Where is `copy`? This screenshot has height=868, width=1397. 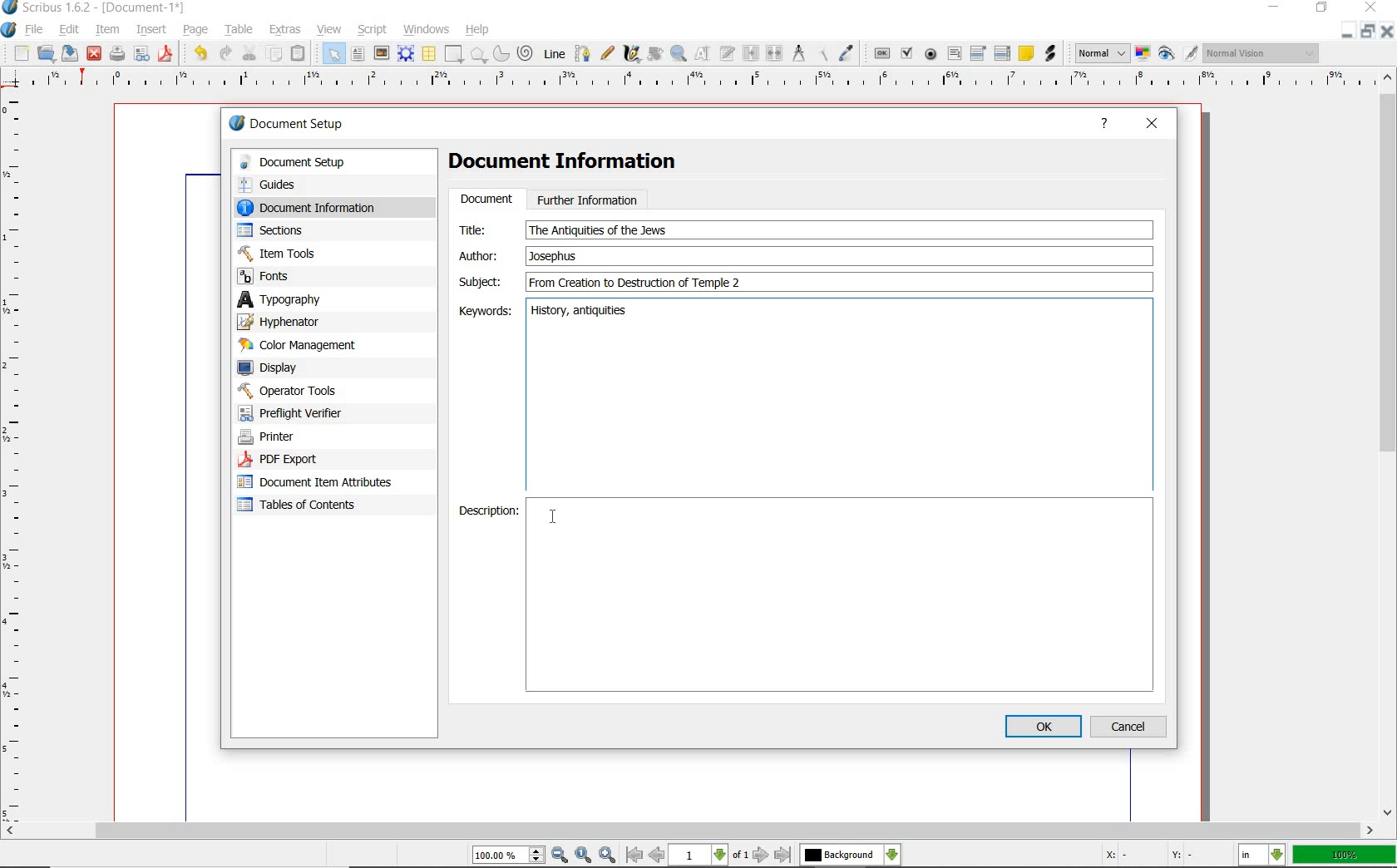 copy is located at coordinates (274, 53).